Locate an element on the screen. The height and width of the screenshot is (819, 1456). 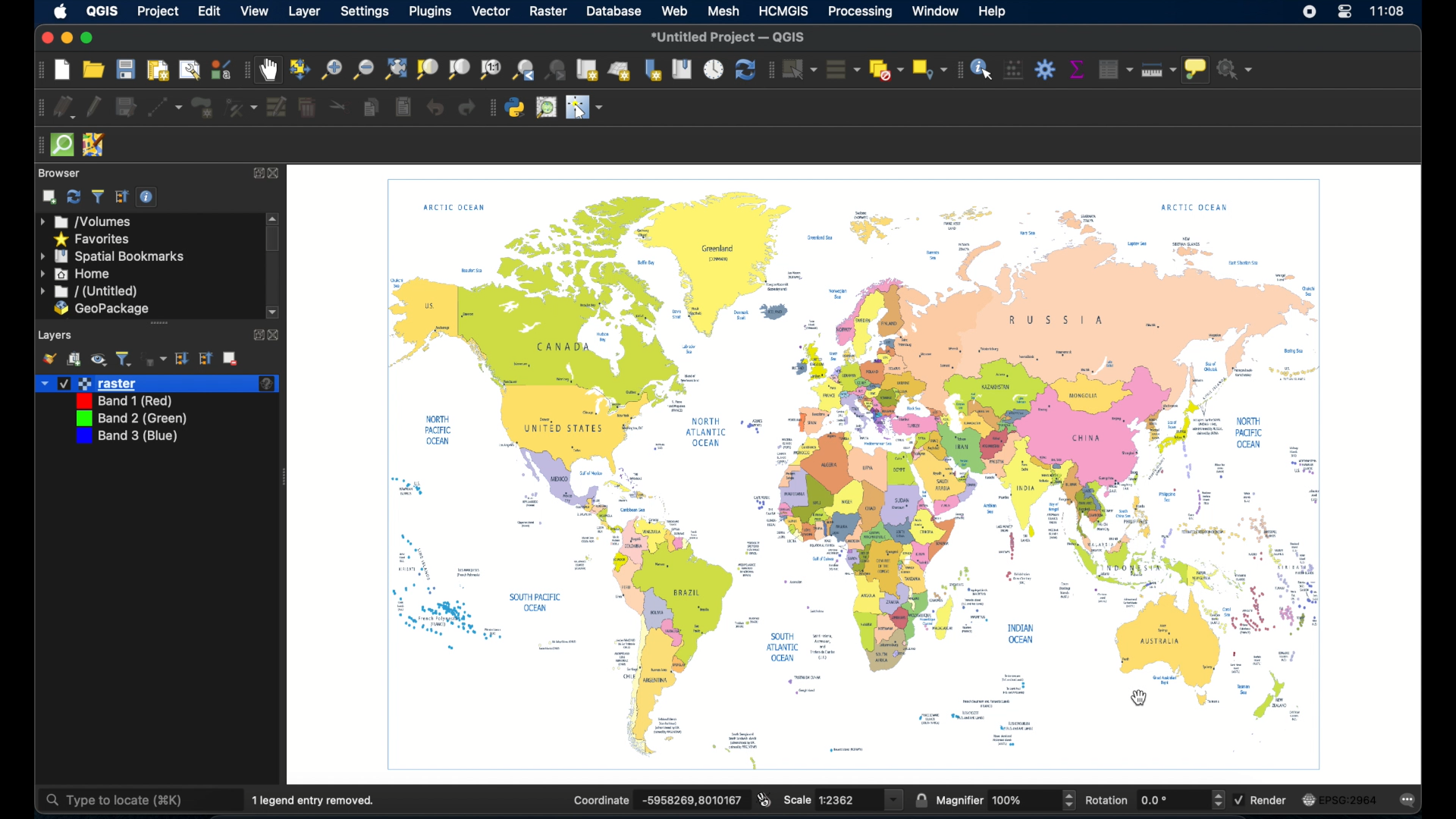
favorites is located at coordinates (94, 238).